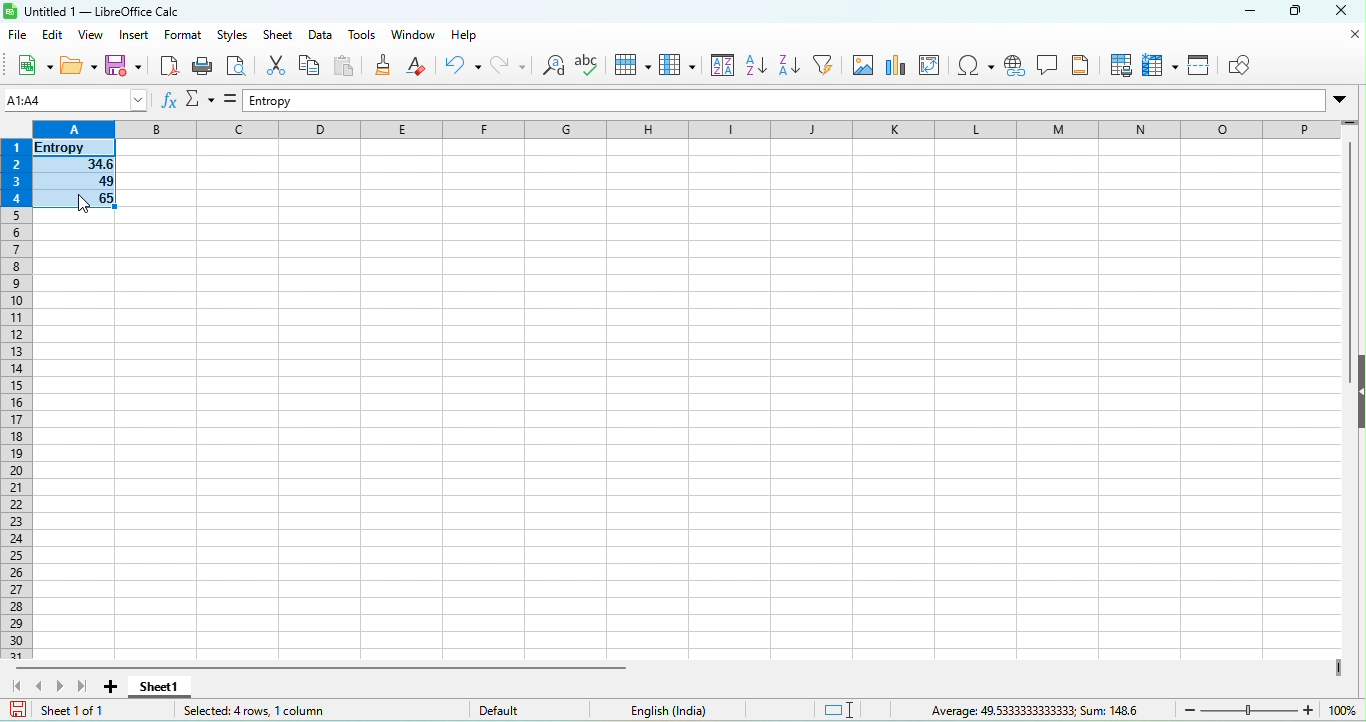 This screenshot has height=722, width=1366. Describe the element at coordinates (272, 68) in the screenshot. I see `cut` at that location.